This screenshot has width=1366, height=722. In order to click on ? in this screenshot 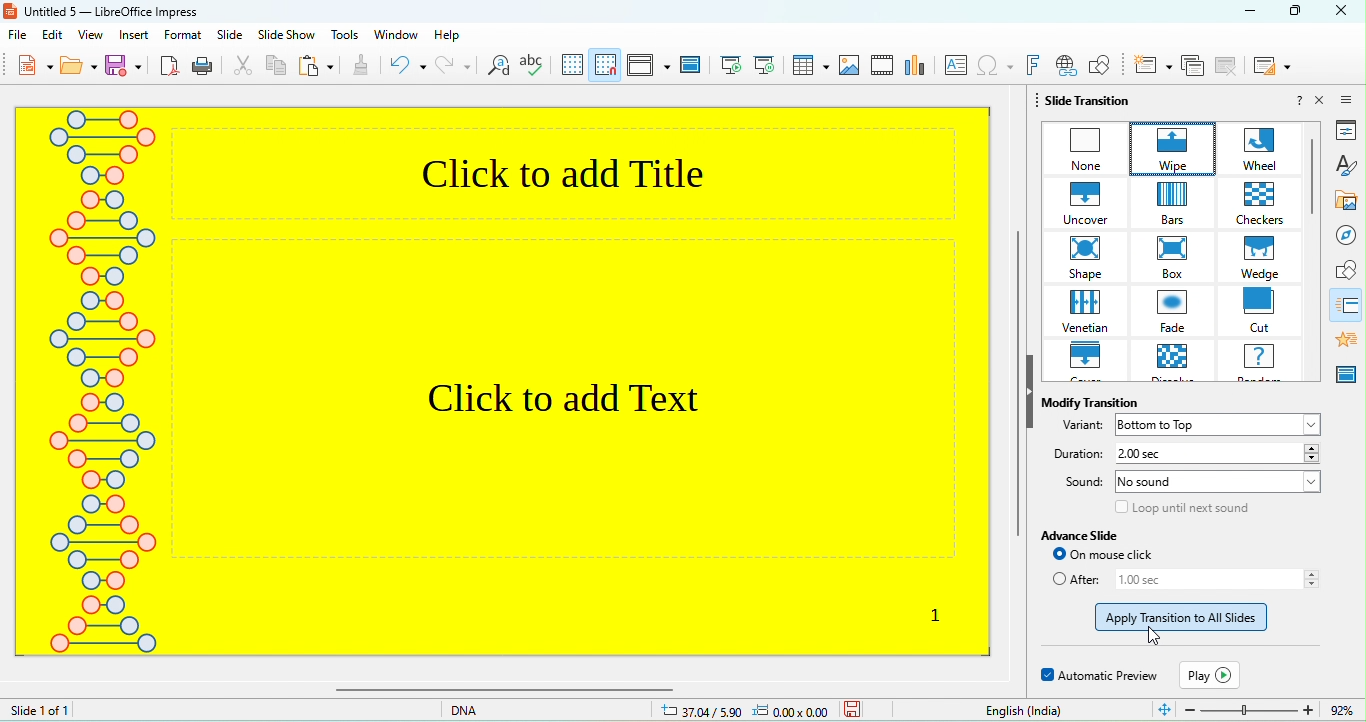, I will do `click(1292, 102)`.